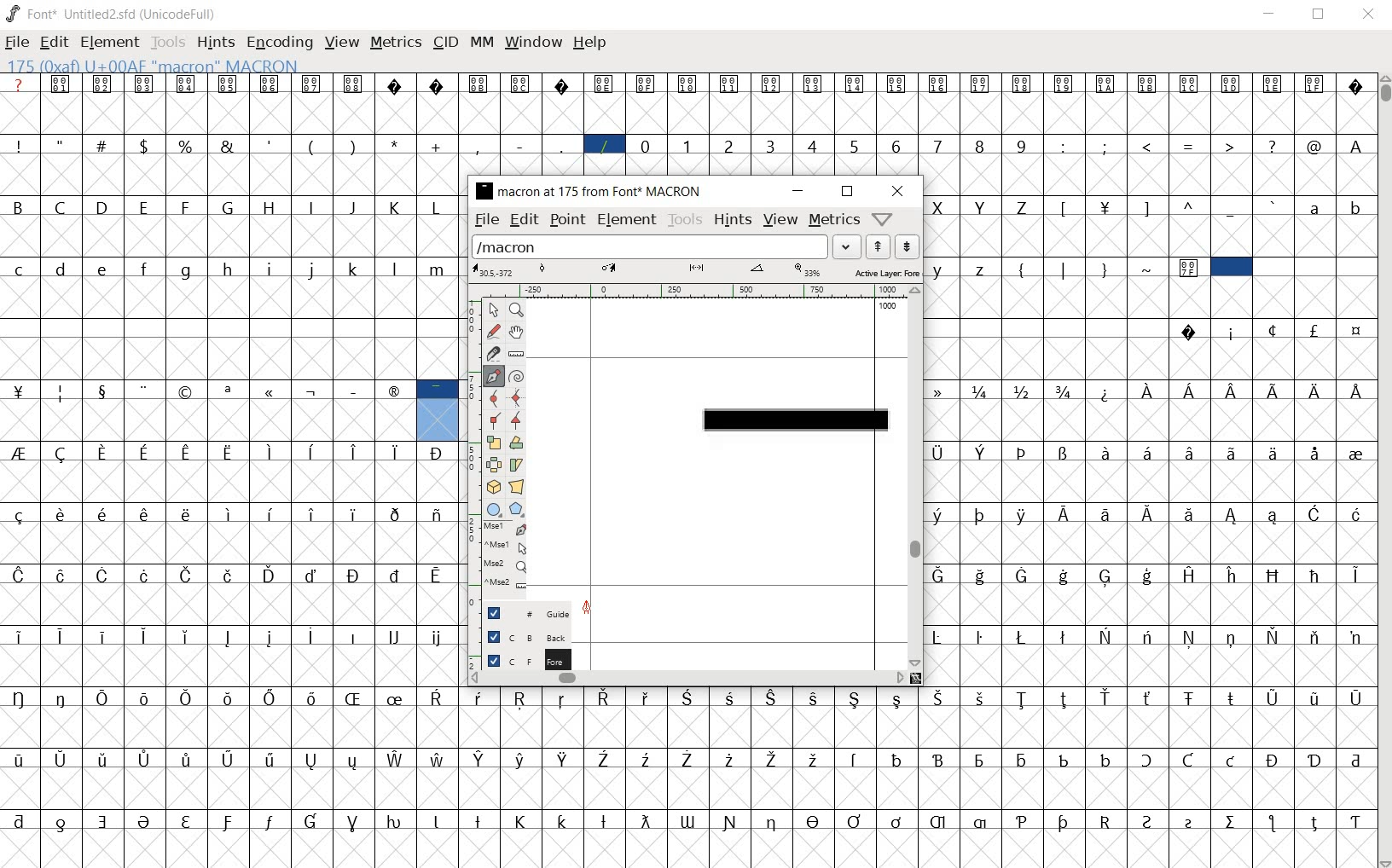 Image resolution: width=1392 pixels, height=868 pixels. What do you see at coordinates (482, 819) in the screenshot?
I see `Symbol` at bounding box center [482, 819].